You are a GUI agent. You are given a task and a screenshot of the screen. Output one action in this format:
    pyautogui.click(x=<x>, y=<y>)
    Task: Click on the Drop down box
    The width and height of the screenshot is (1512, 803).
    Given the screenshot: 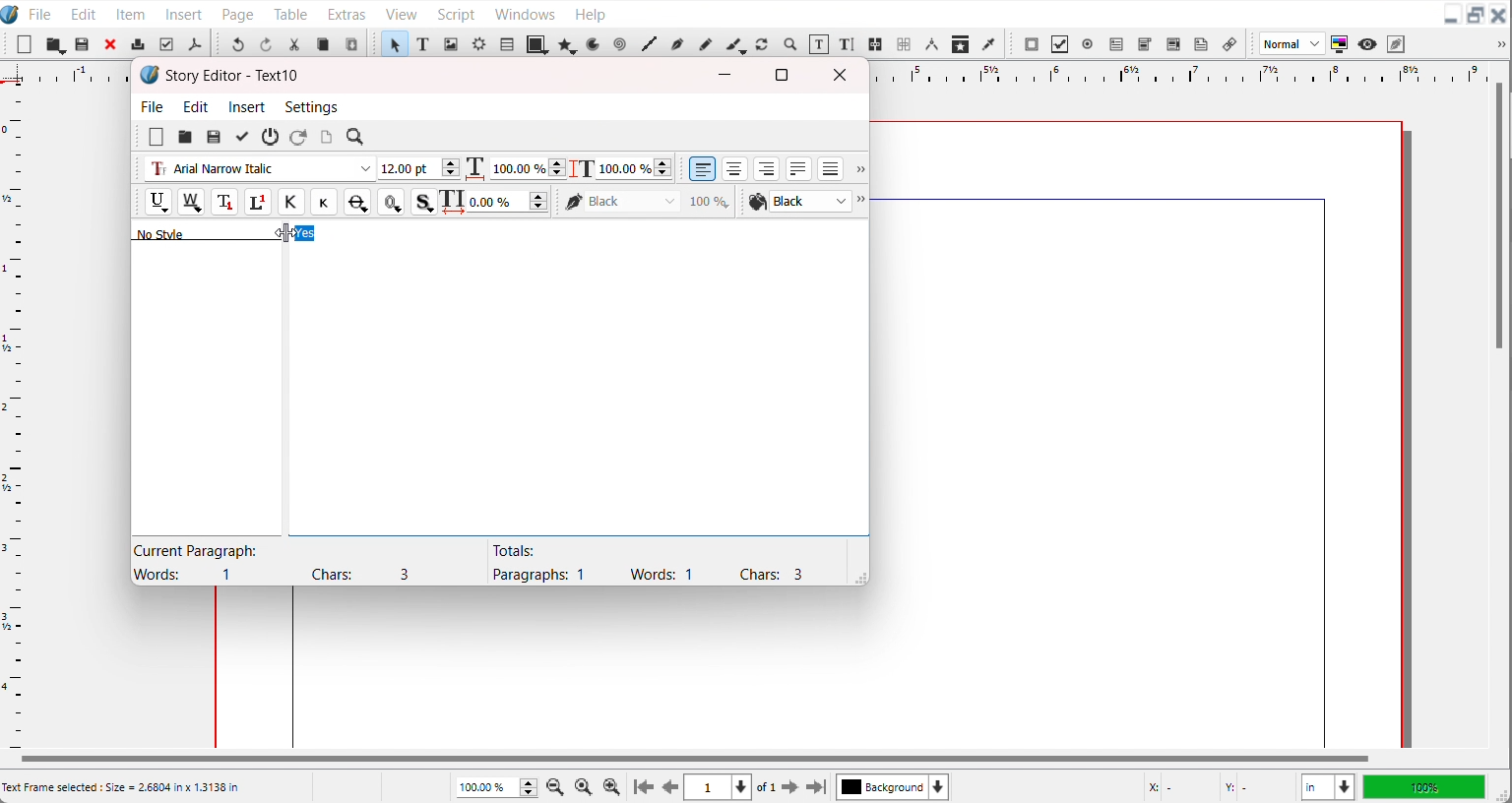 What is the action you would take?
    pyautogui.click(x=858, y=170)
    